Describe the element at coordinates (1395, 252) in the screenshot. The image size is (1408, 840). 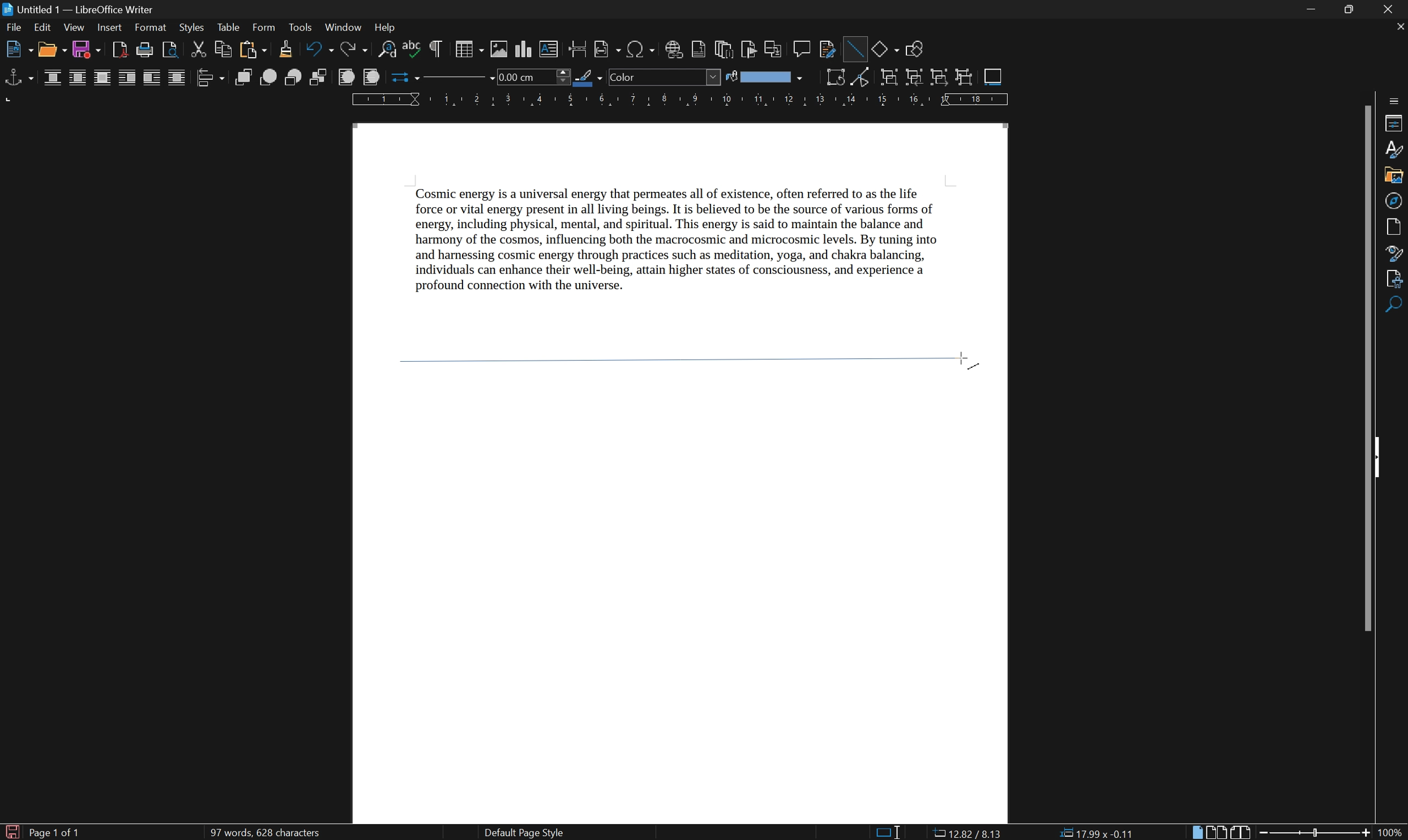
I see `style inspector` at that location.